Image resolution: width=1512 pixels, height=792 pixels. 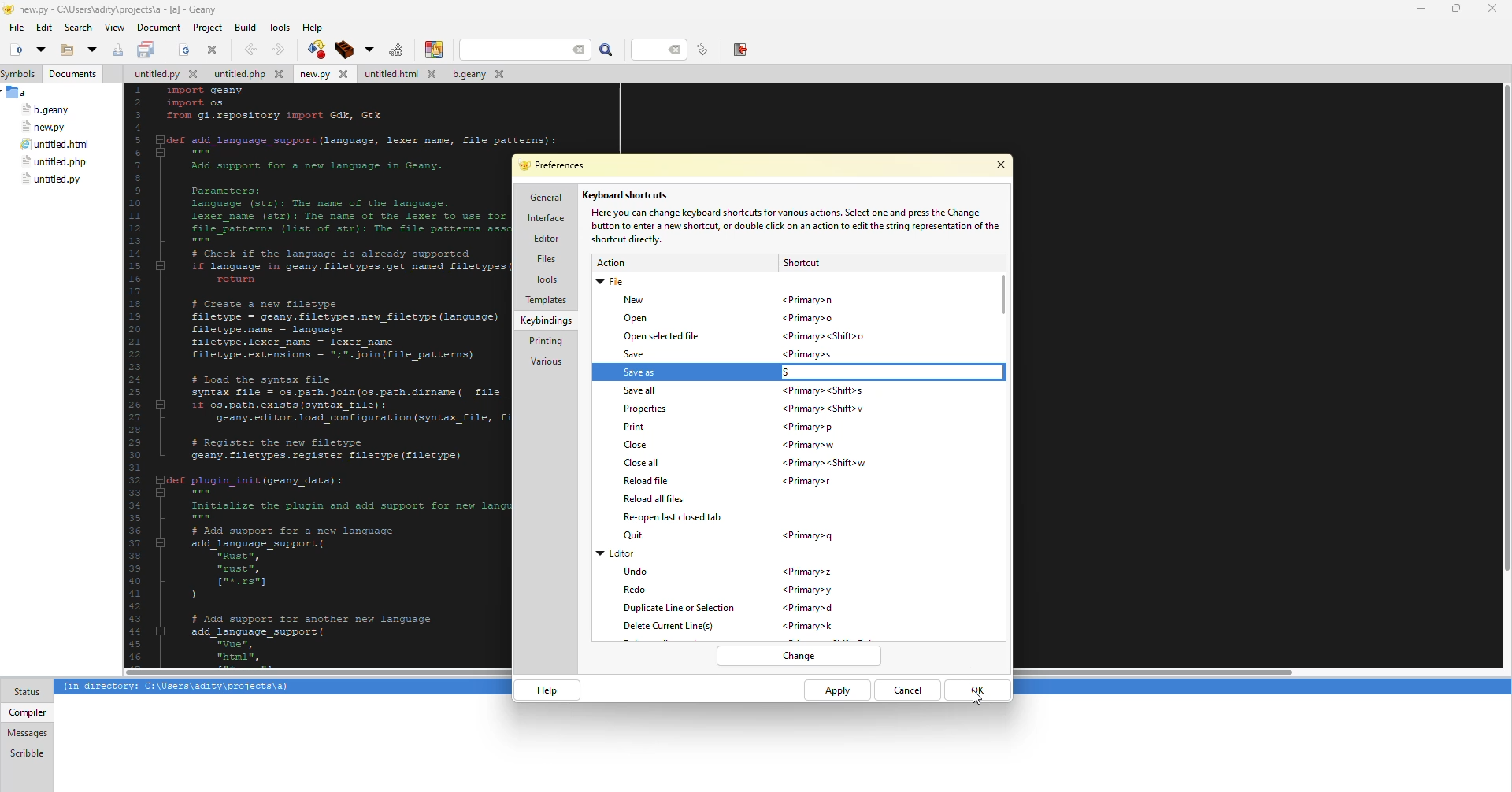 I want to click on search, so click(x=525, y=50).